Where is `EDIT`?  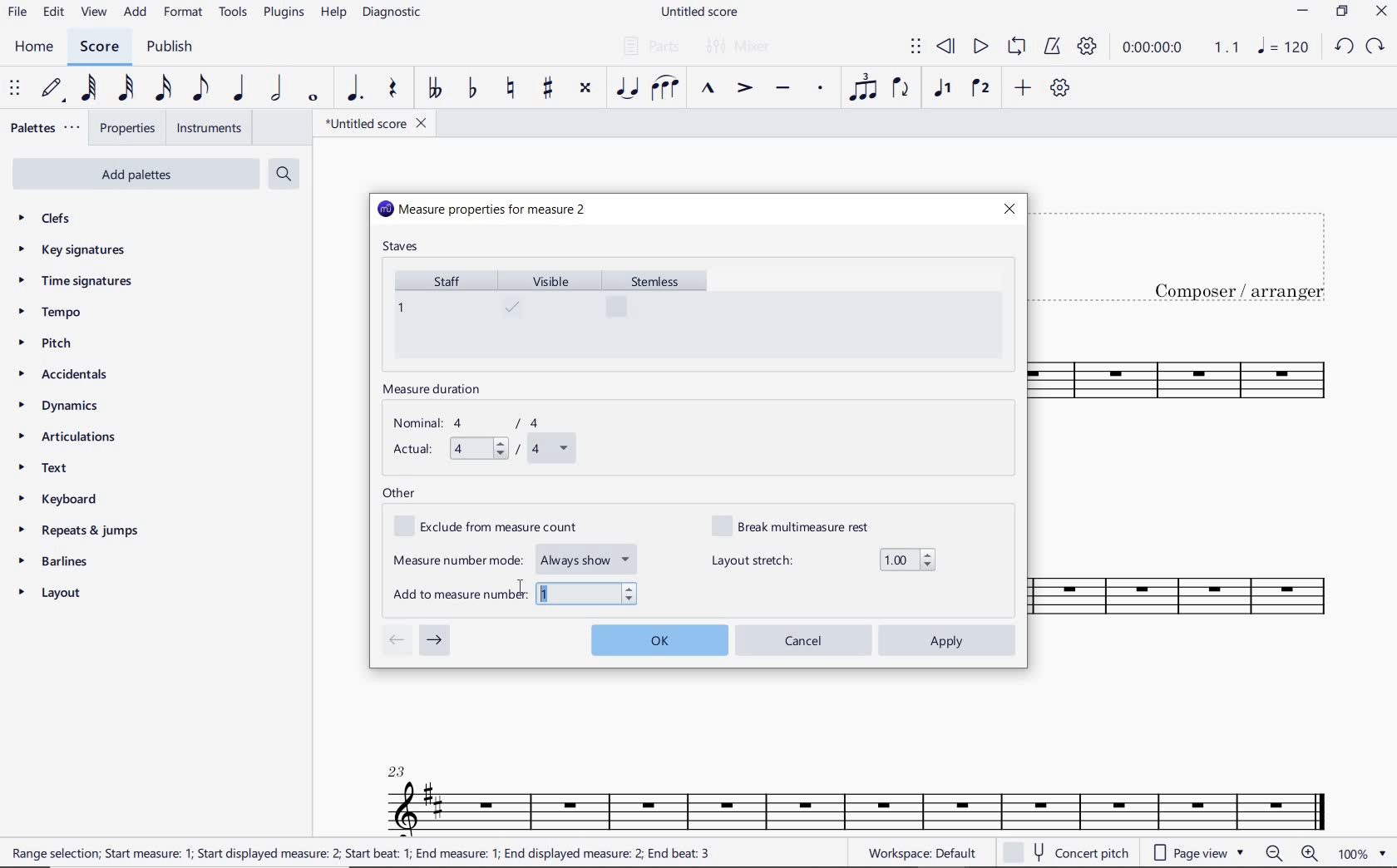 EDIT is located at coordinates (53, 14).